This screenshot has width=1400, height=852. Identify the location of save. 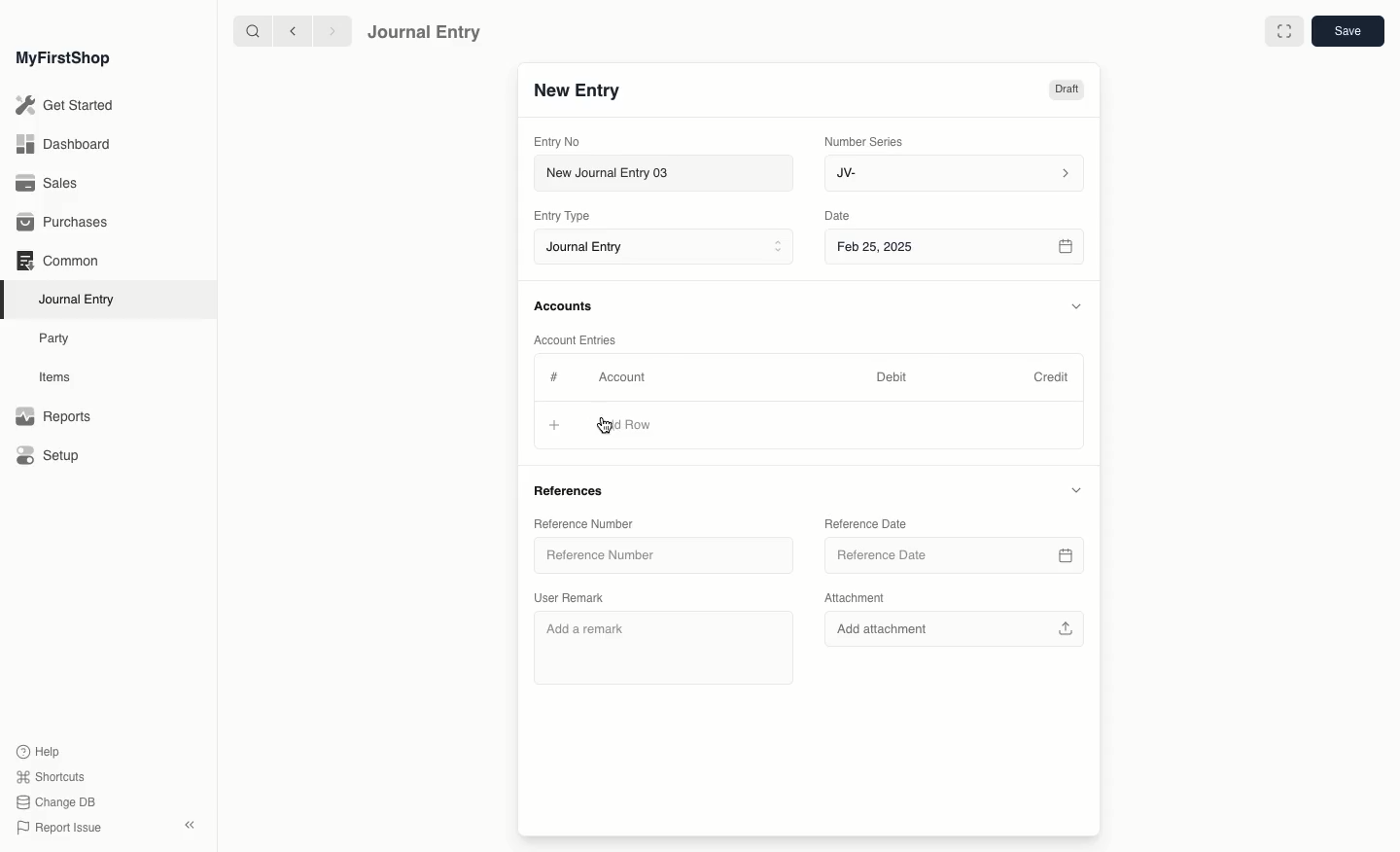
(1347, 32).